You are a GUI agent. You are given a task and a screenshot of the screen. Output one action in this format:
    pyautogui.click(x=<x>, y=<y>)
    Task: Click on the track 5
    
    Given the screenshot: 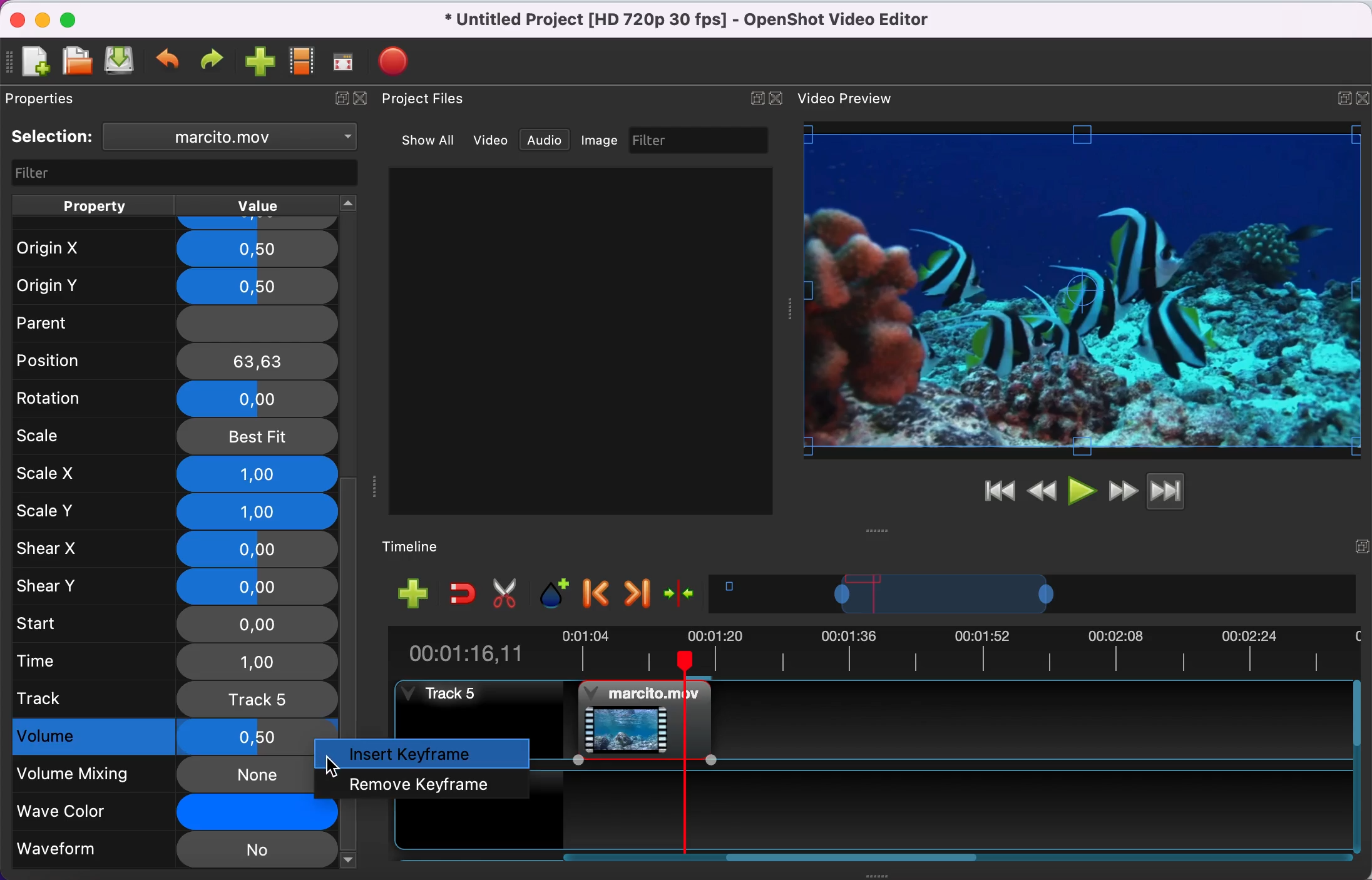 What is the action you would take?
    pyautogui.click(x=637, y=719)
    